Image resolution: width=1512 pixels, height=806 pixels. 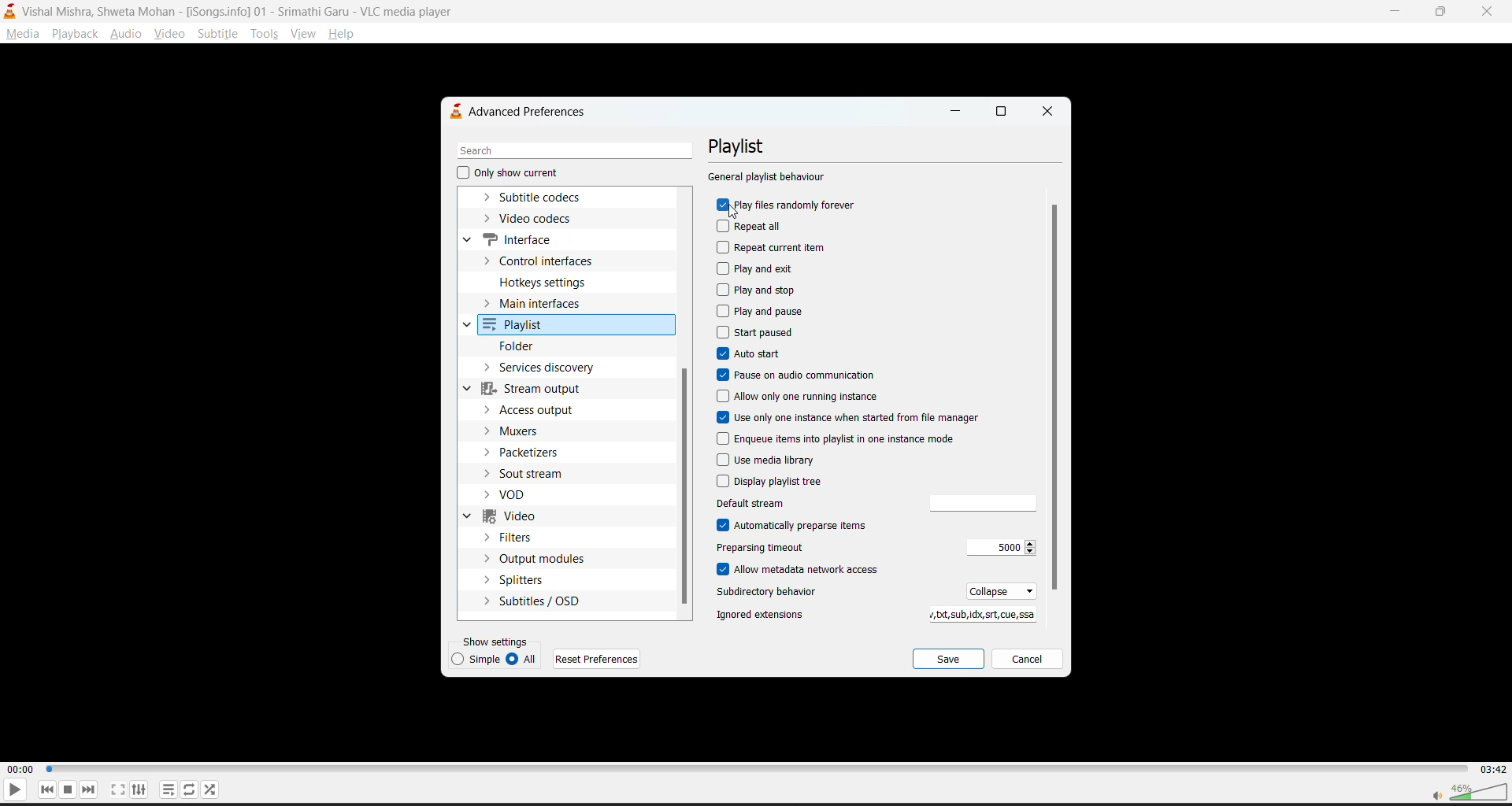 What do you see at coordinates (755, 767) in the screenshot?
I see `track slider` at bounding box center [755, 767].